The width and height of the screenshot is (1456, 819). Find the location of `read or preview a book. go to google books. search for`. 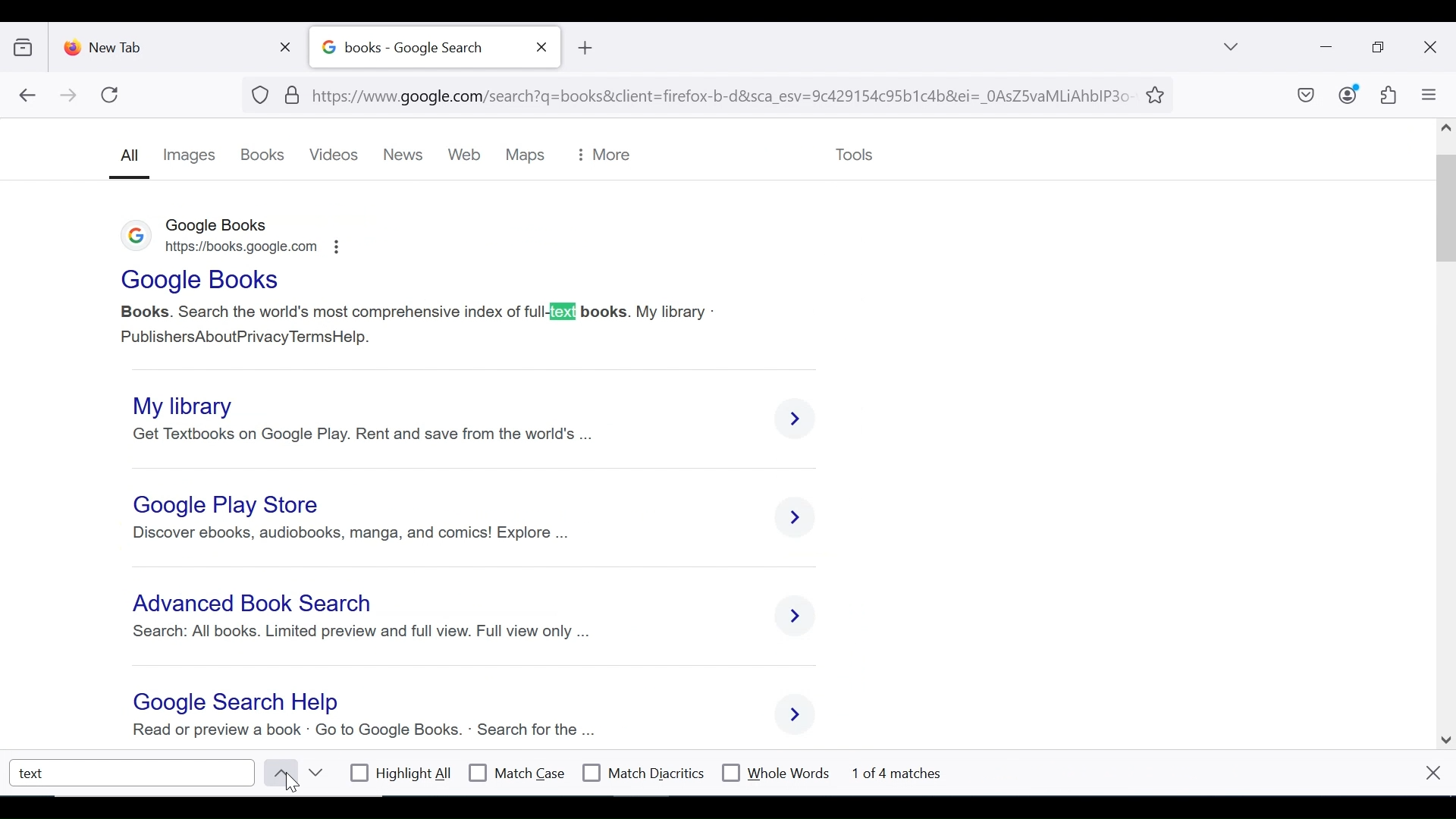

read or preview a book. go to google books. search for is located at coordinates (359, 732).